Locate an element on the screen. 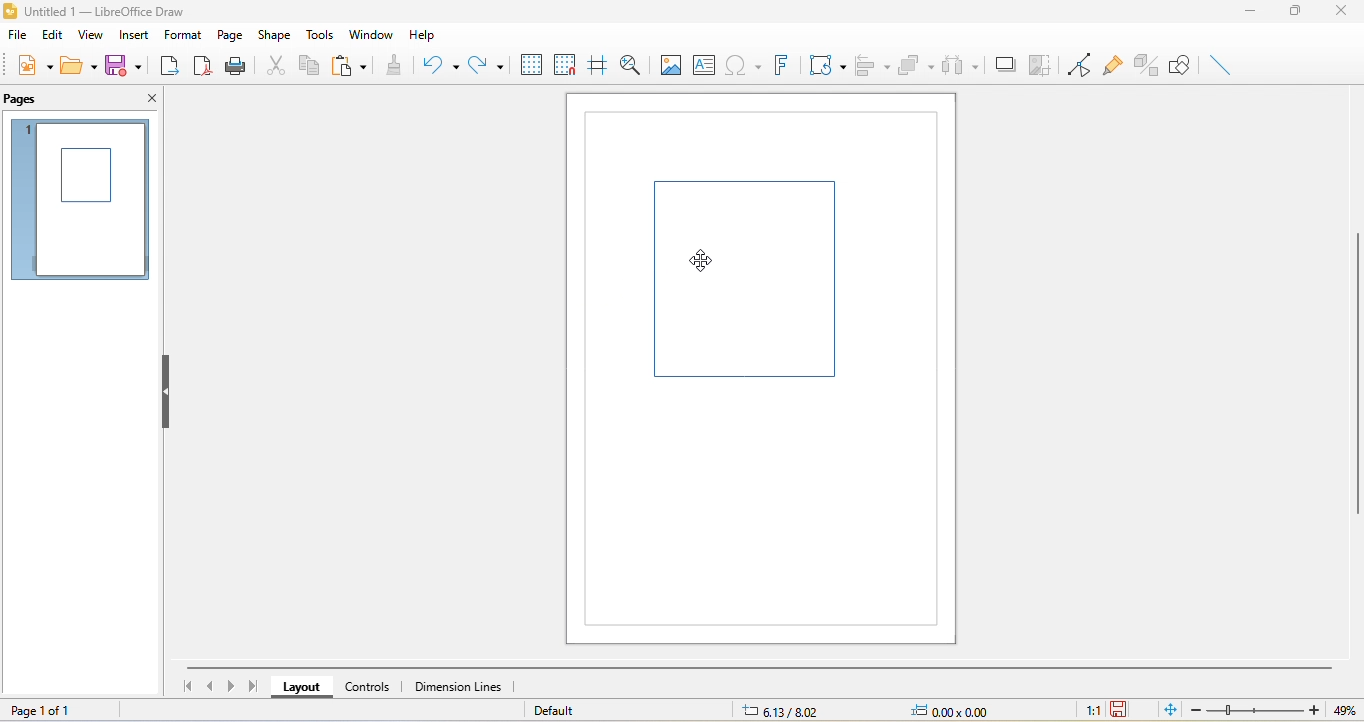  format is located at coordinates (181, 32).